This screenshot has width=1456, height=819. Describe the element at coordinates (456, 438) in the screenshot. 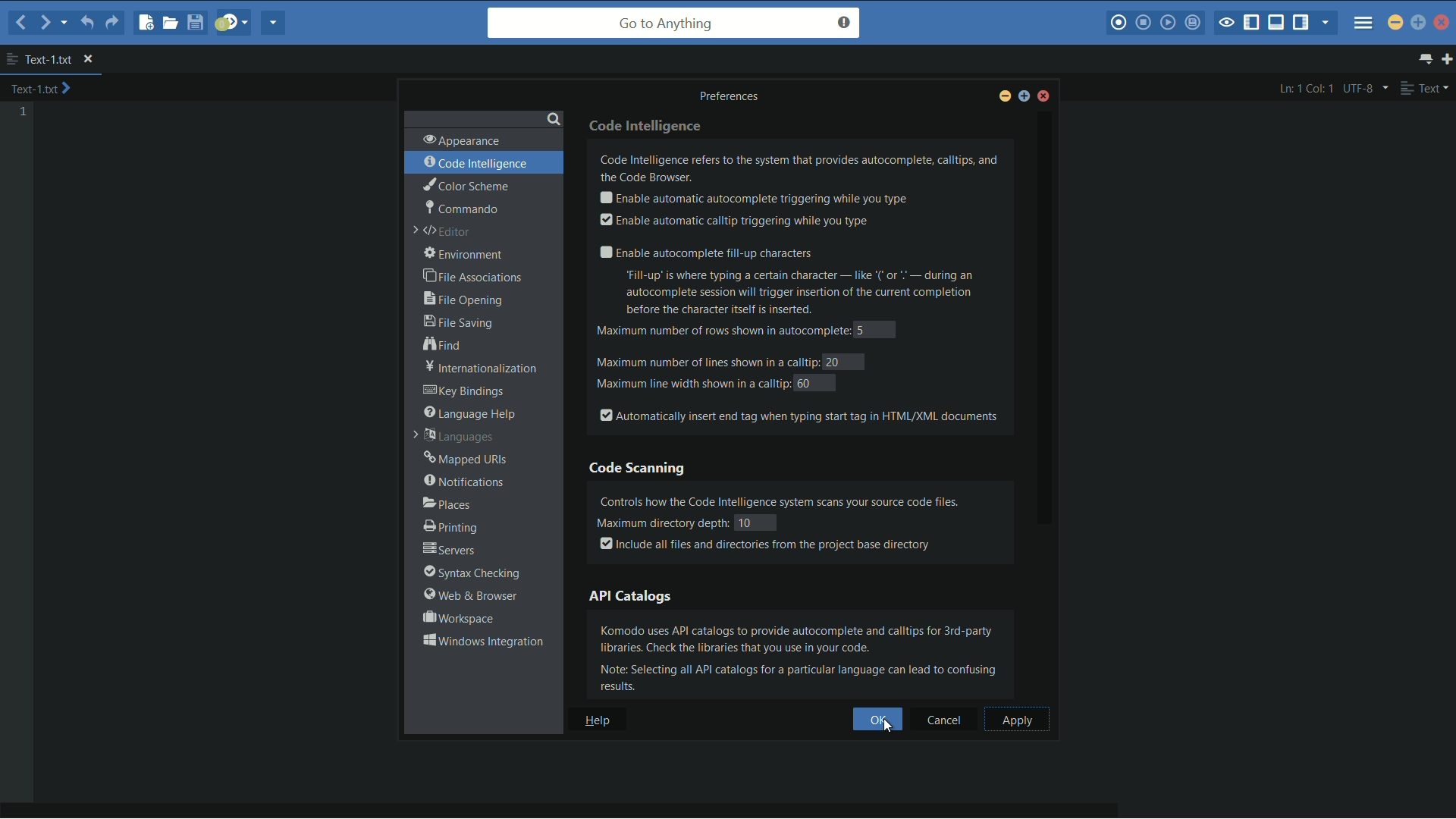

I see `languages` at that location.